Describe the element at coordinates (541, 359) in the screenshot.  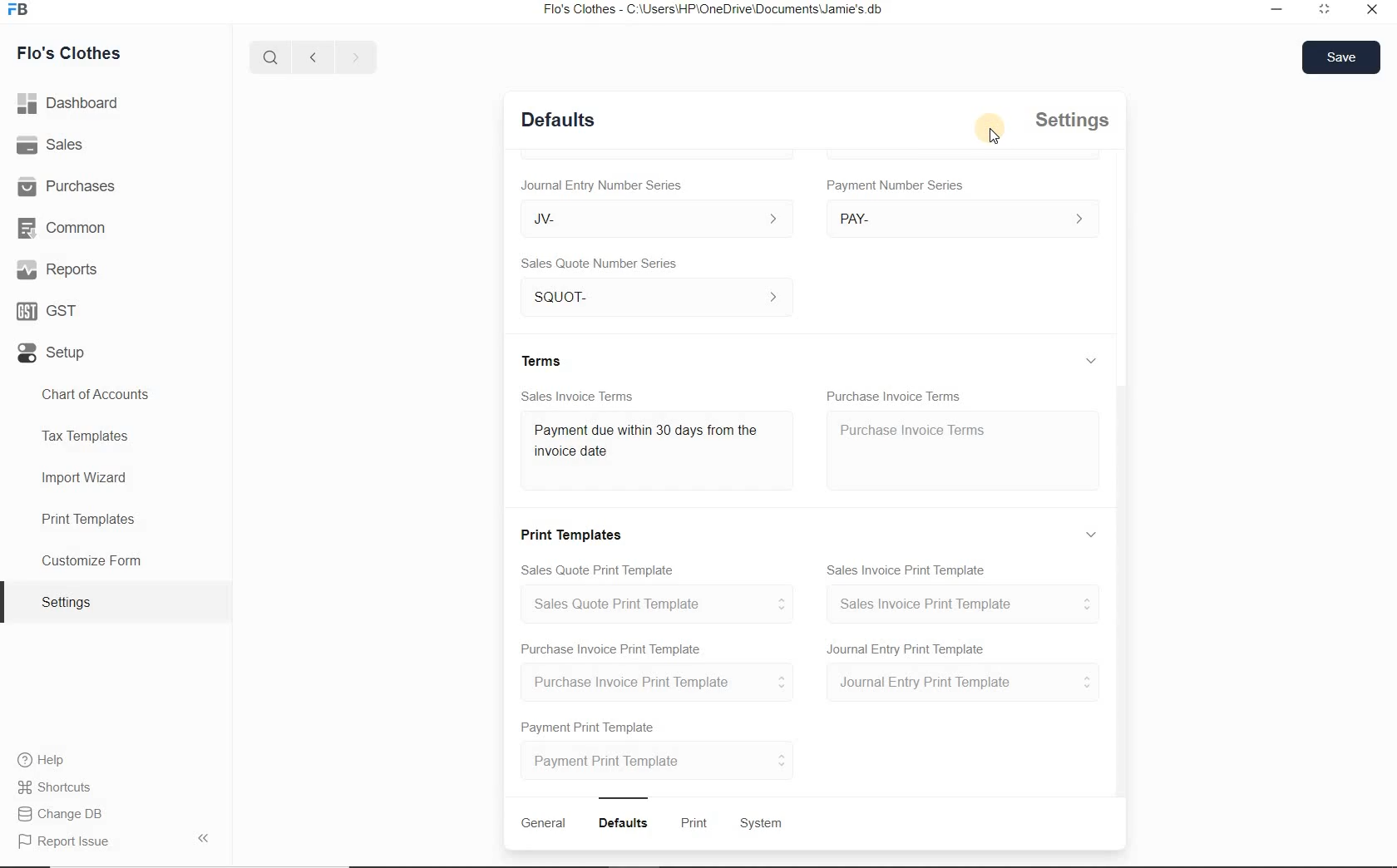
I see `Terms` at that location.